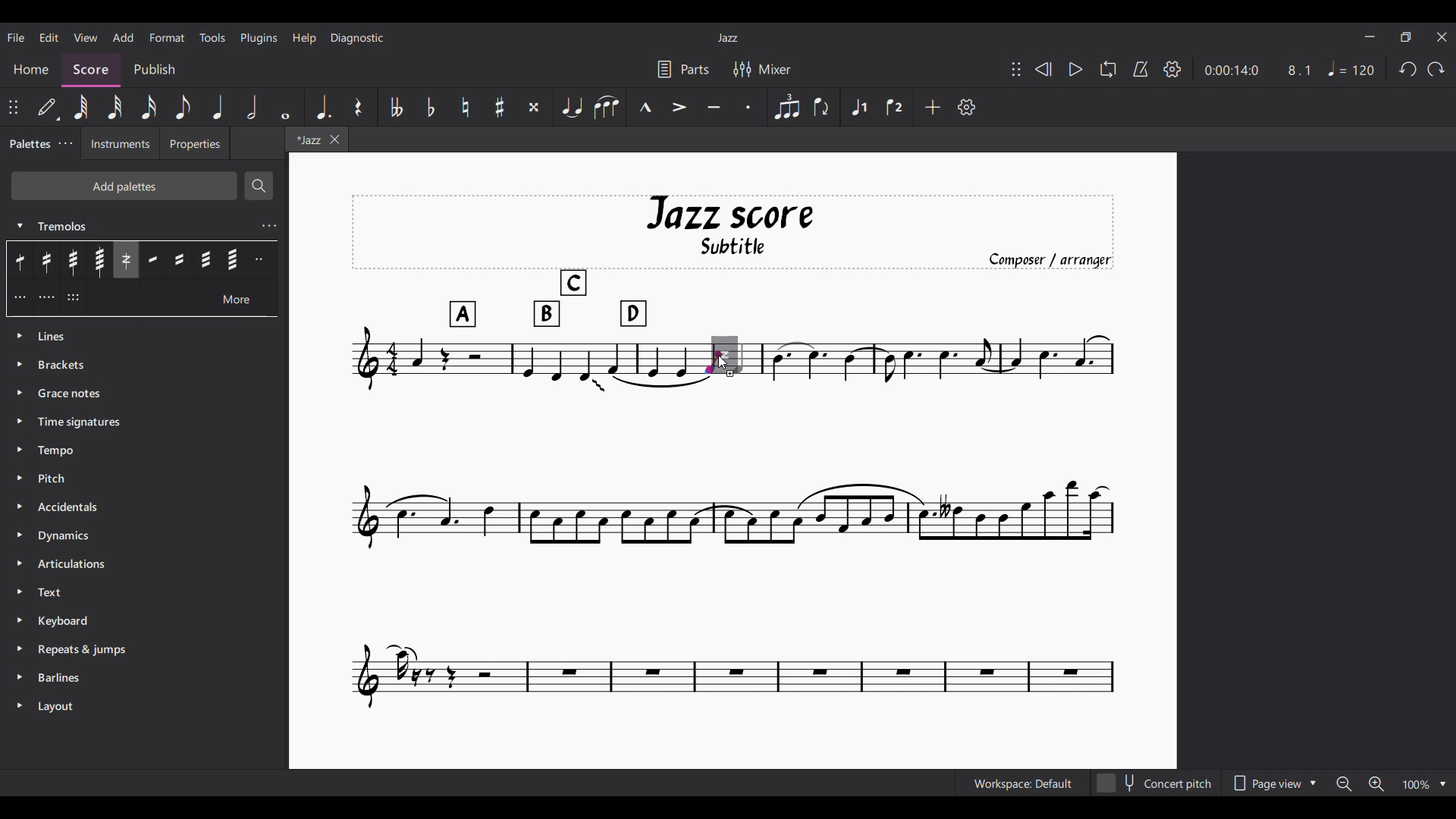 This screenshot has width=1456, height=819. I want to click on Palette settings, so click(66, 143).